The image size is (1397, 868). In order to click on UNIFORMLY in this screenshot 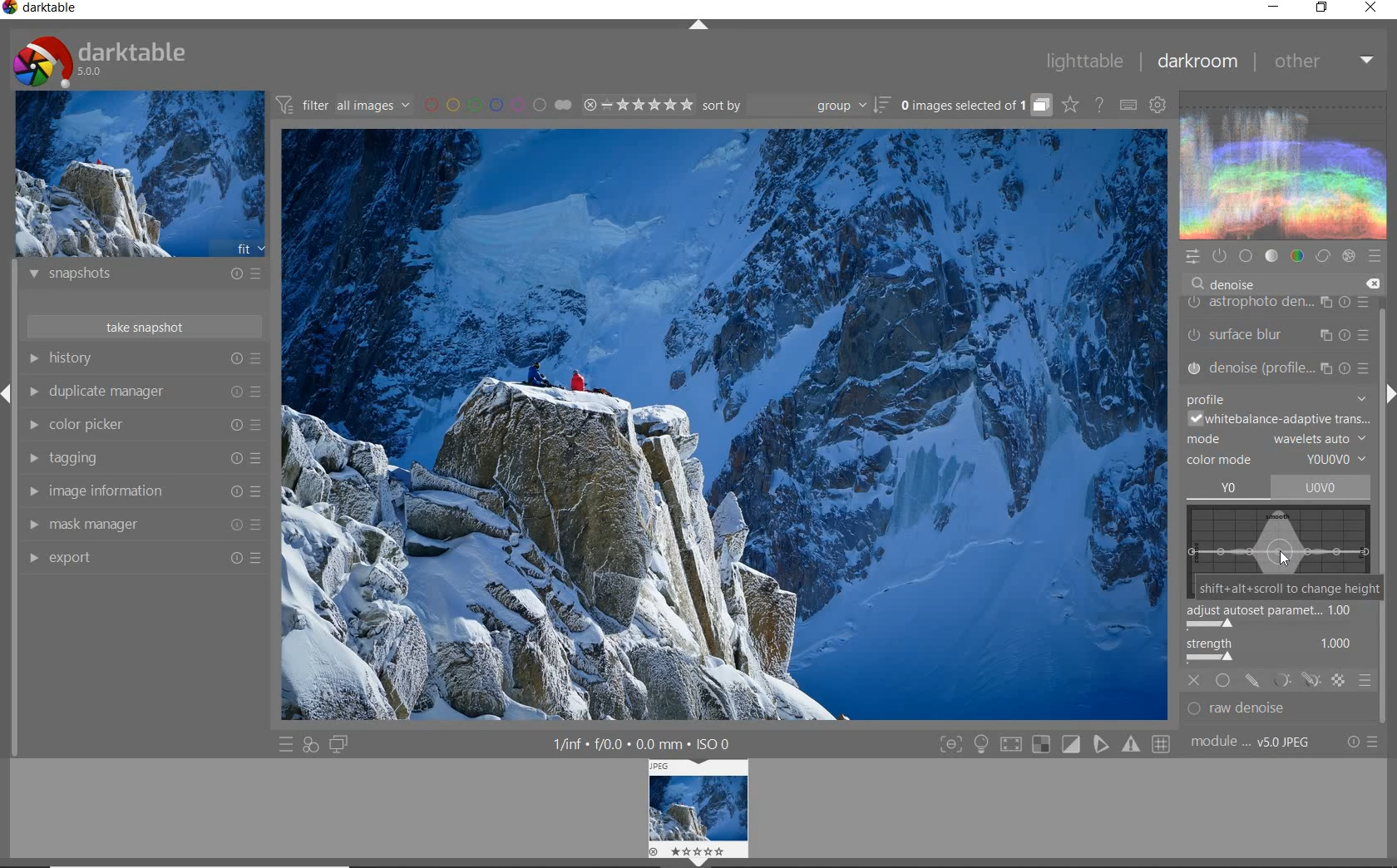, I will do `click(1223, 680)`.